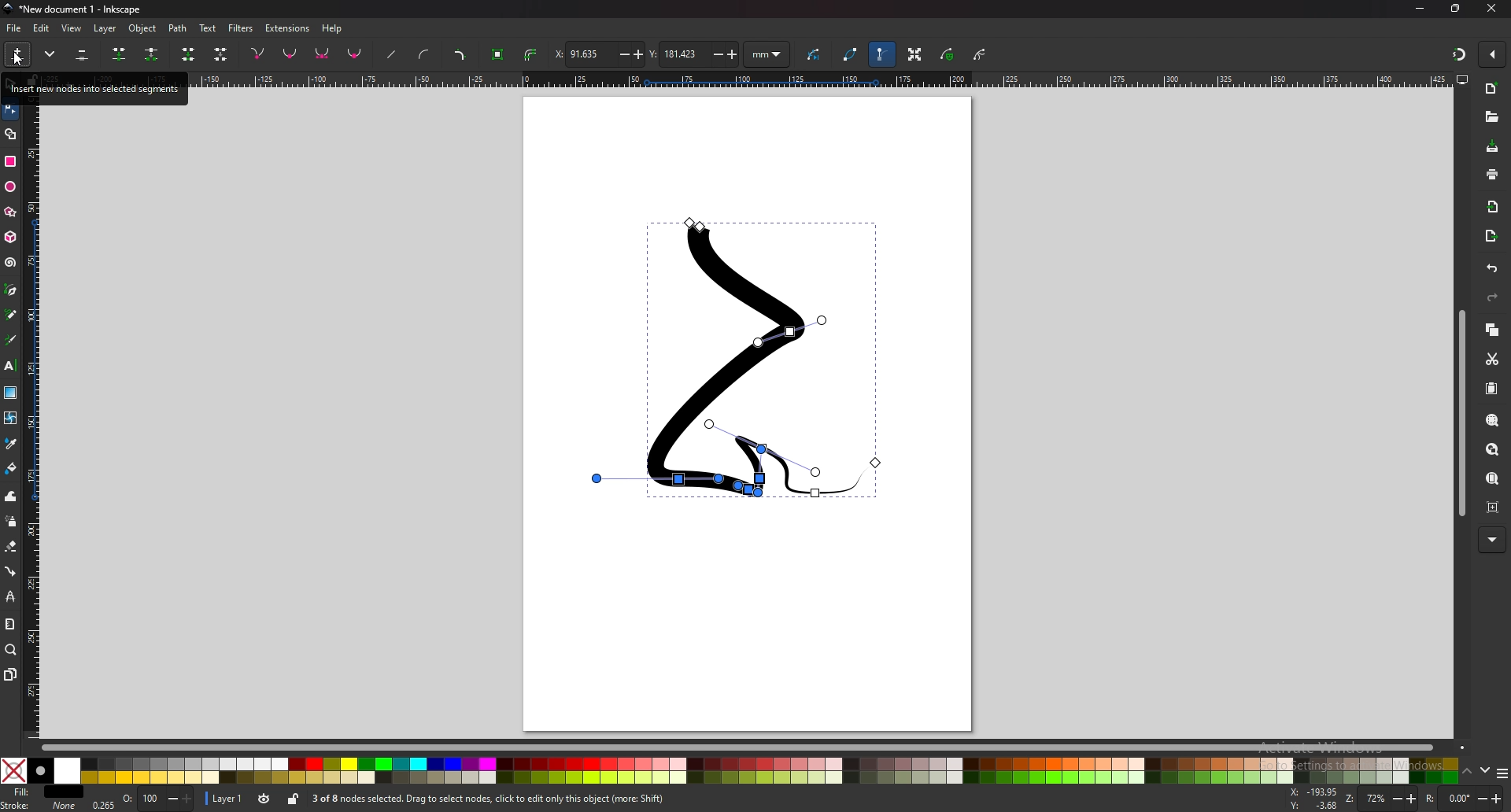 The image size is (1511, 812). I want to click on vertical scale, so click(34, 416).